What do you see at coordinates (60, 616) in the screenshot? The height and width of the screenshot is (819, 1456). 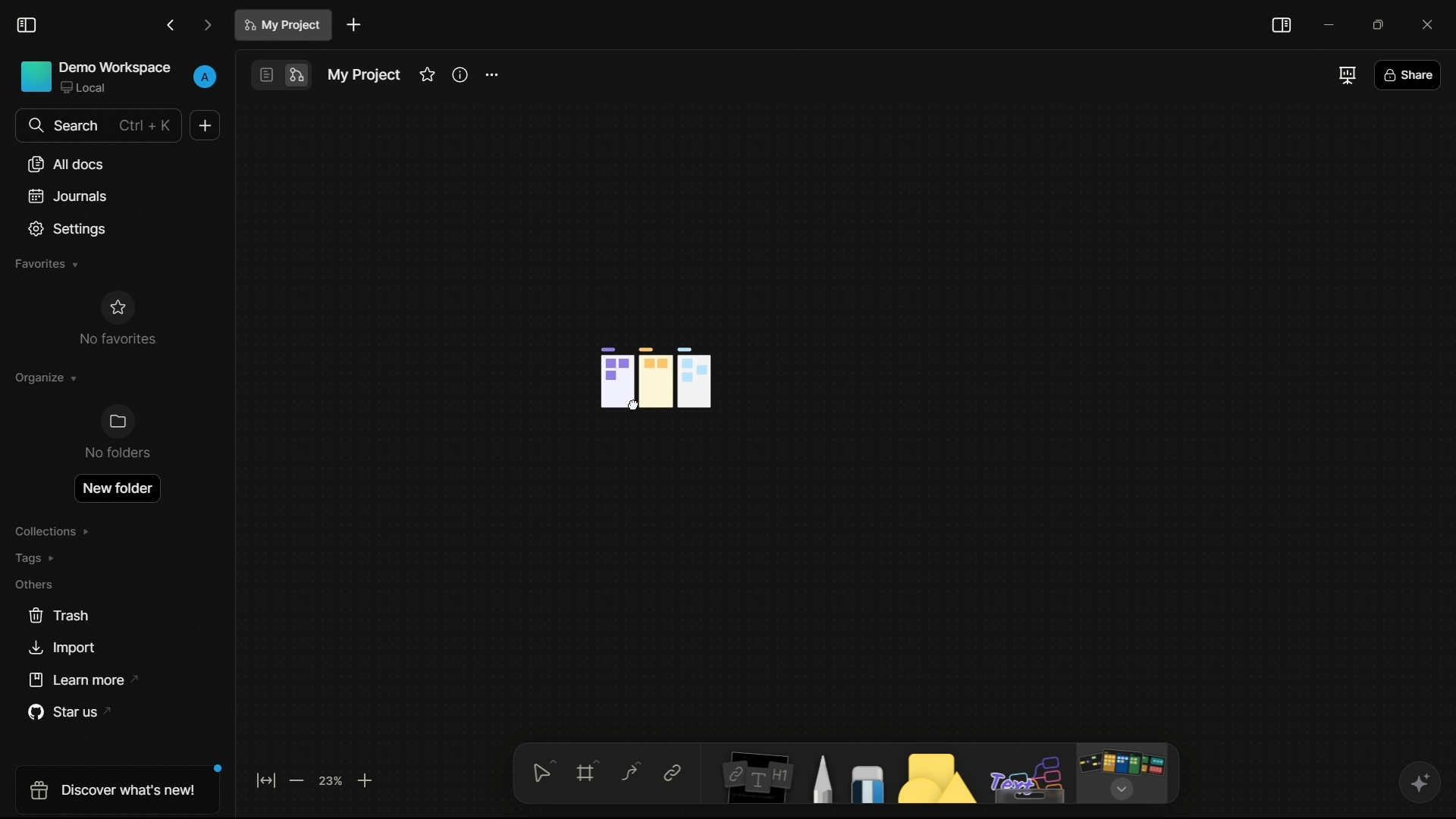 I see `trash` at bounding box center [60, 616].